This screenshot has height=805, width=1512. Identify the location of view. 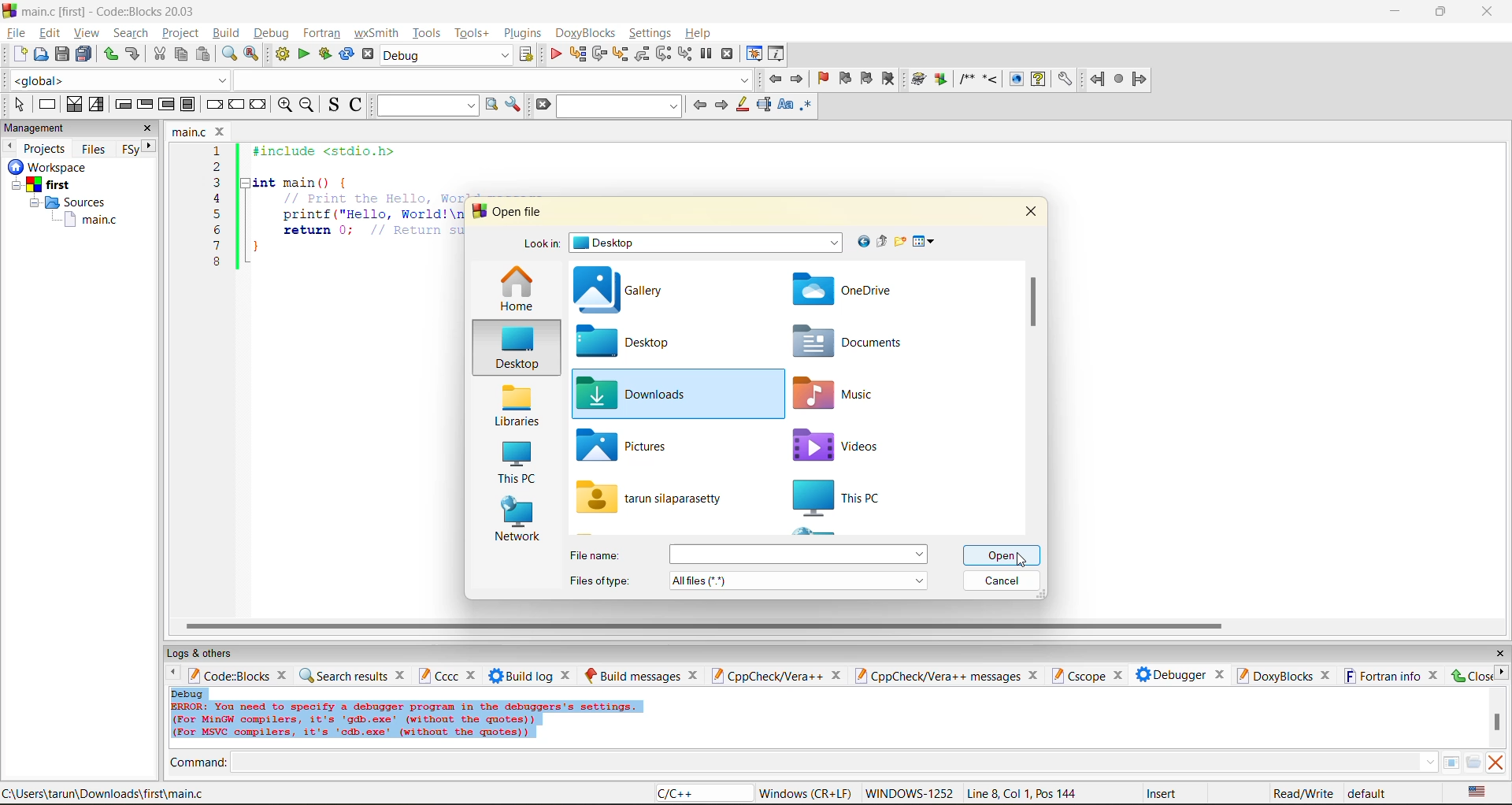
(88, 32).